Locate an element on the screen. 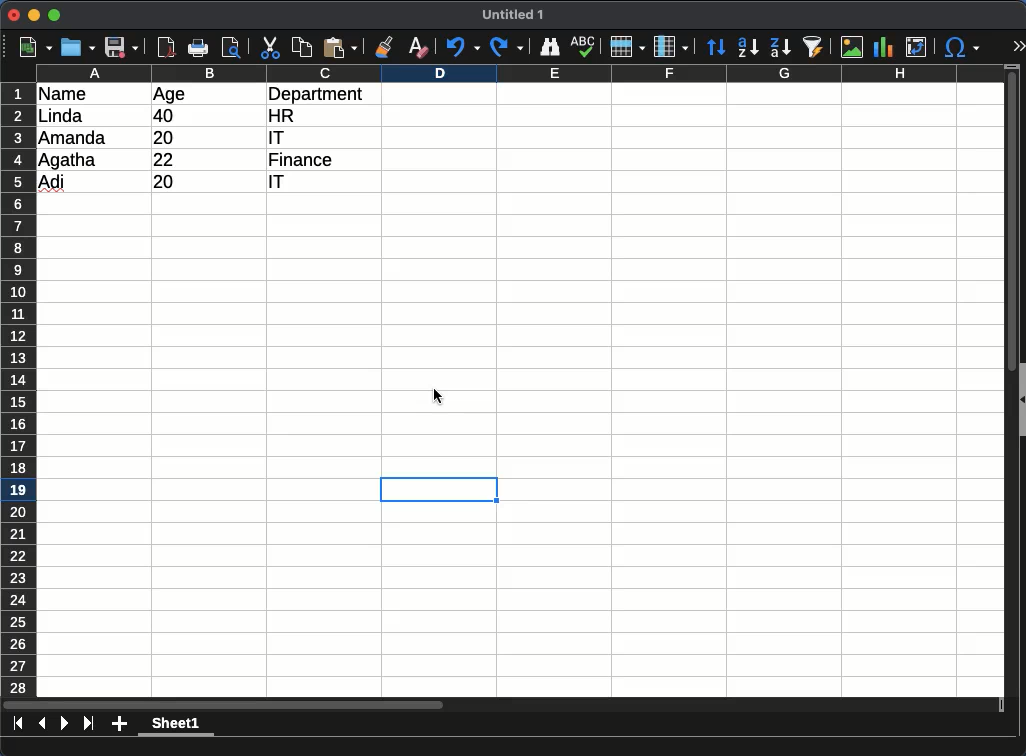 Image resolution: width=1026 pixels, height=756 pixels. sheet 1 is located at coordinates (177, 726).